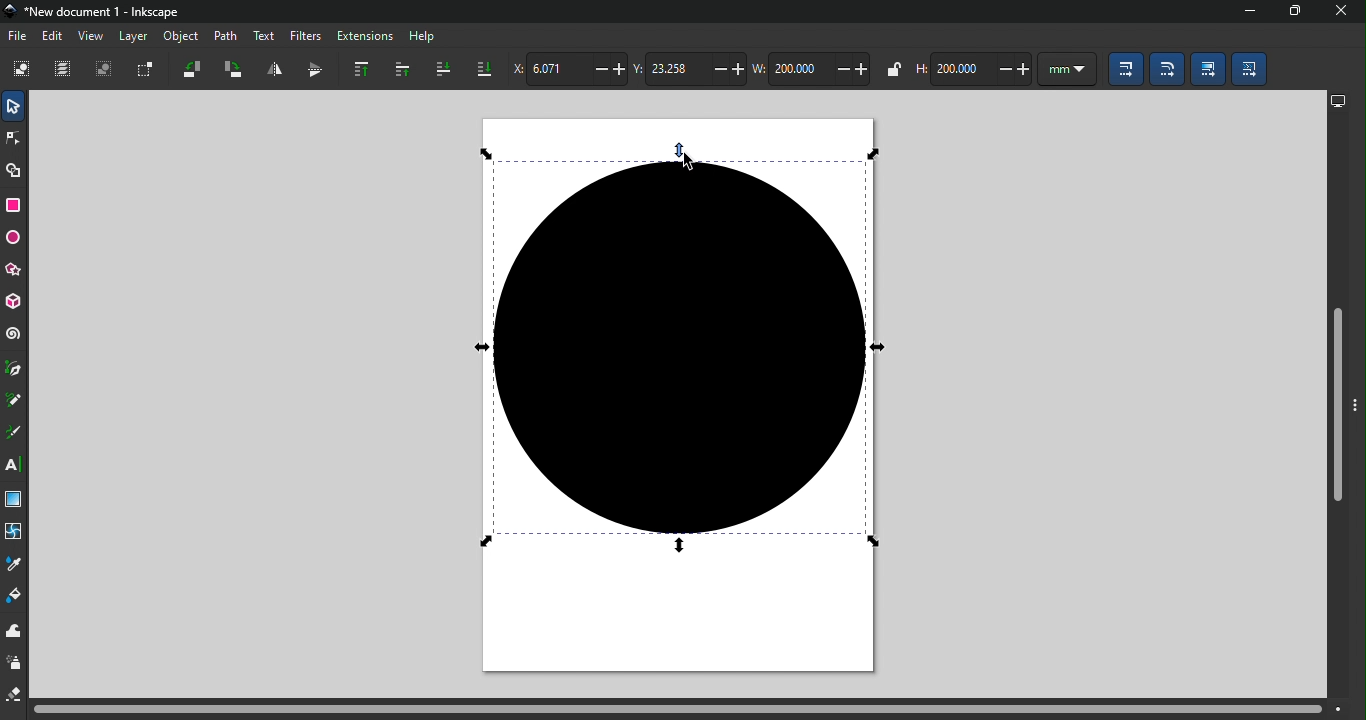  I want to click on Move patterns (in fill or stoke) along with the objects, so click(1248, 69).